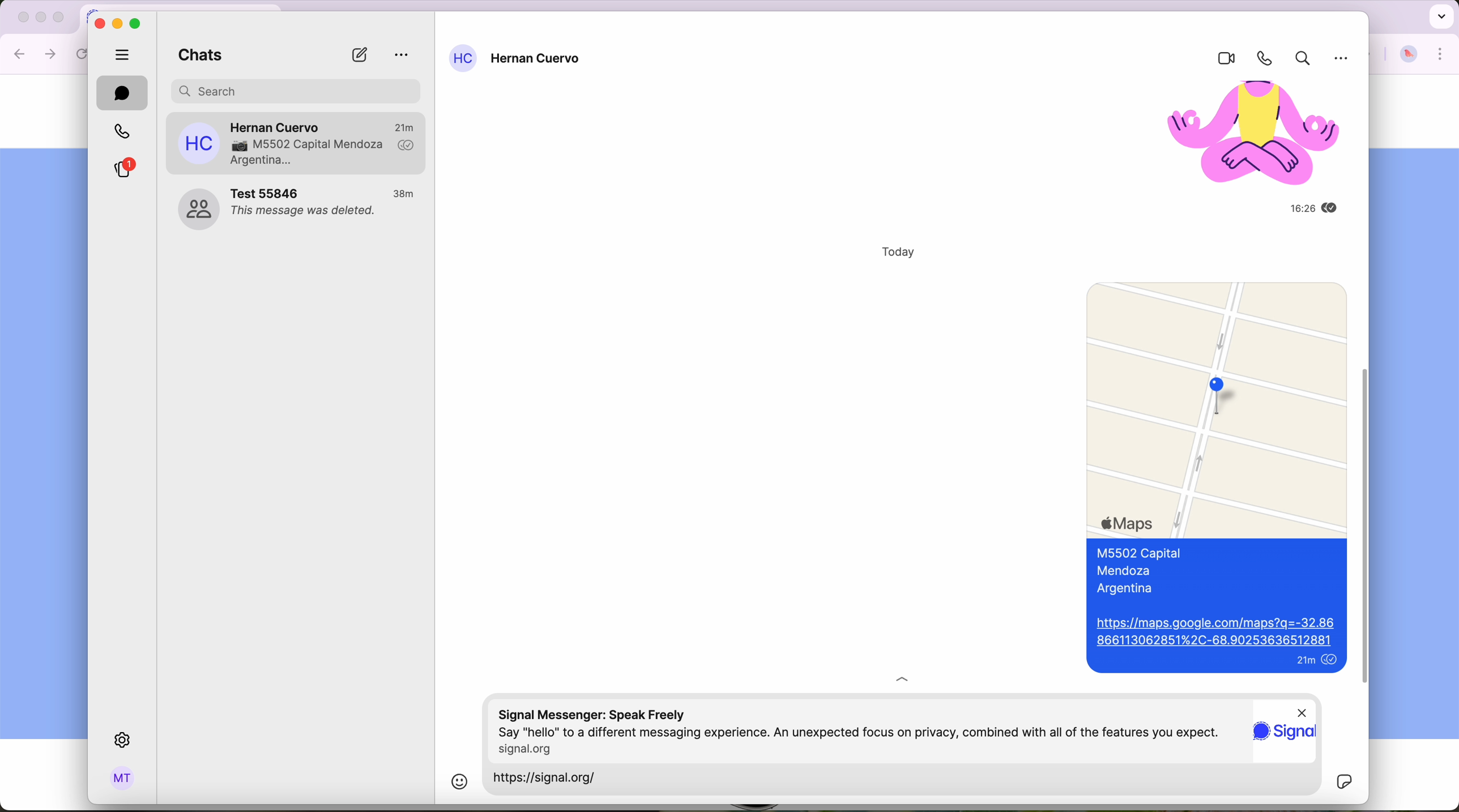 This screenshot has height=812, width=1459. I want to click on Yogo sticker, so click(1243, 136).